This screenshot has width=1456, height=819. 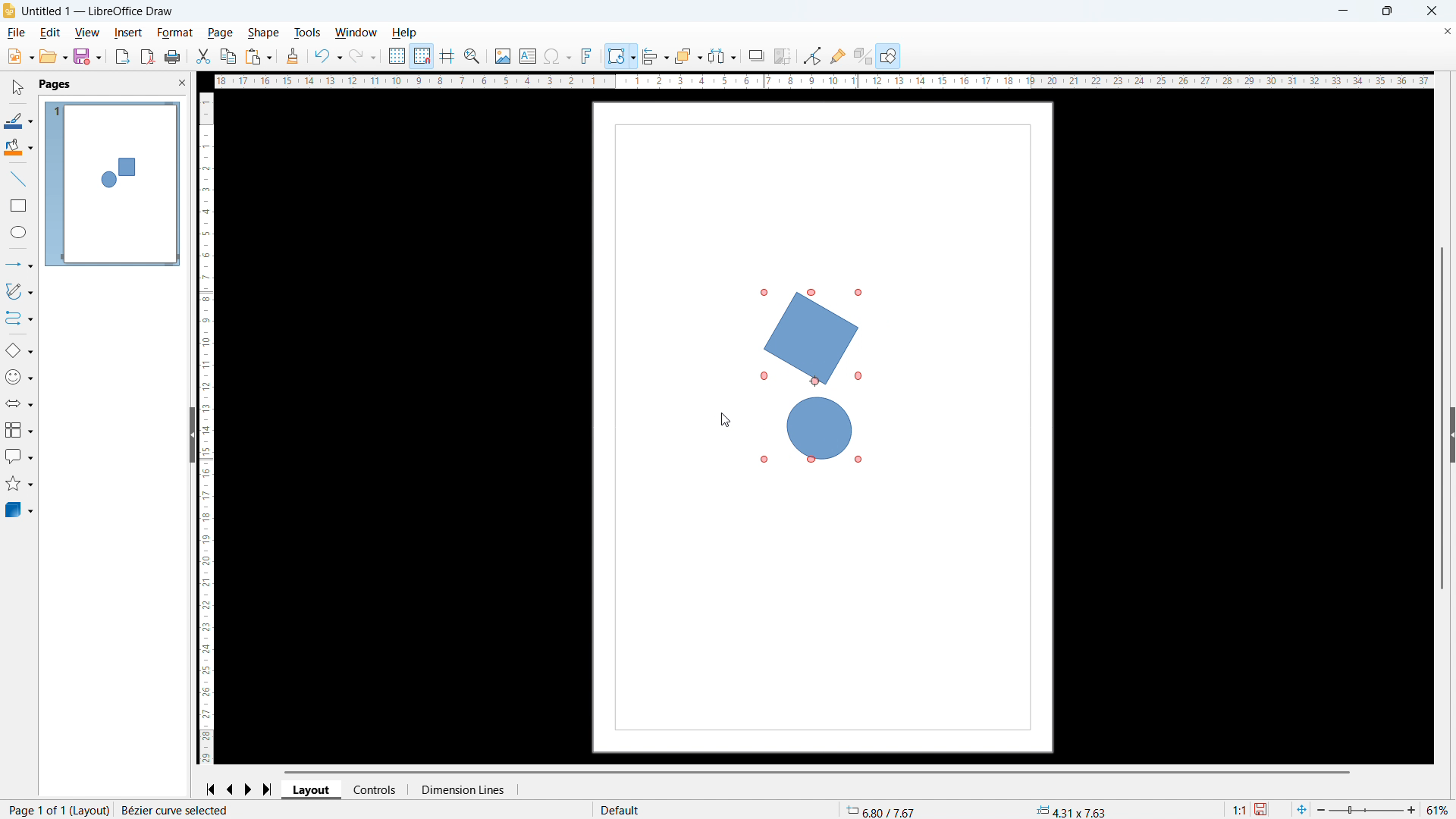 I want to click on Sidebar, so click(x=1447, y=434).